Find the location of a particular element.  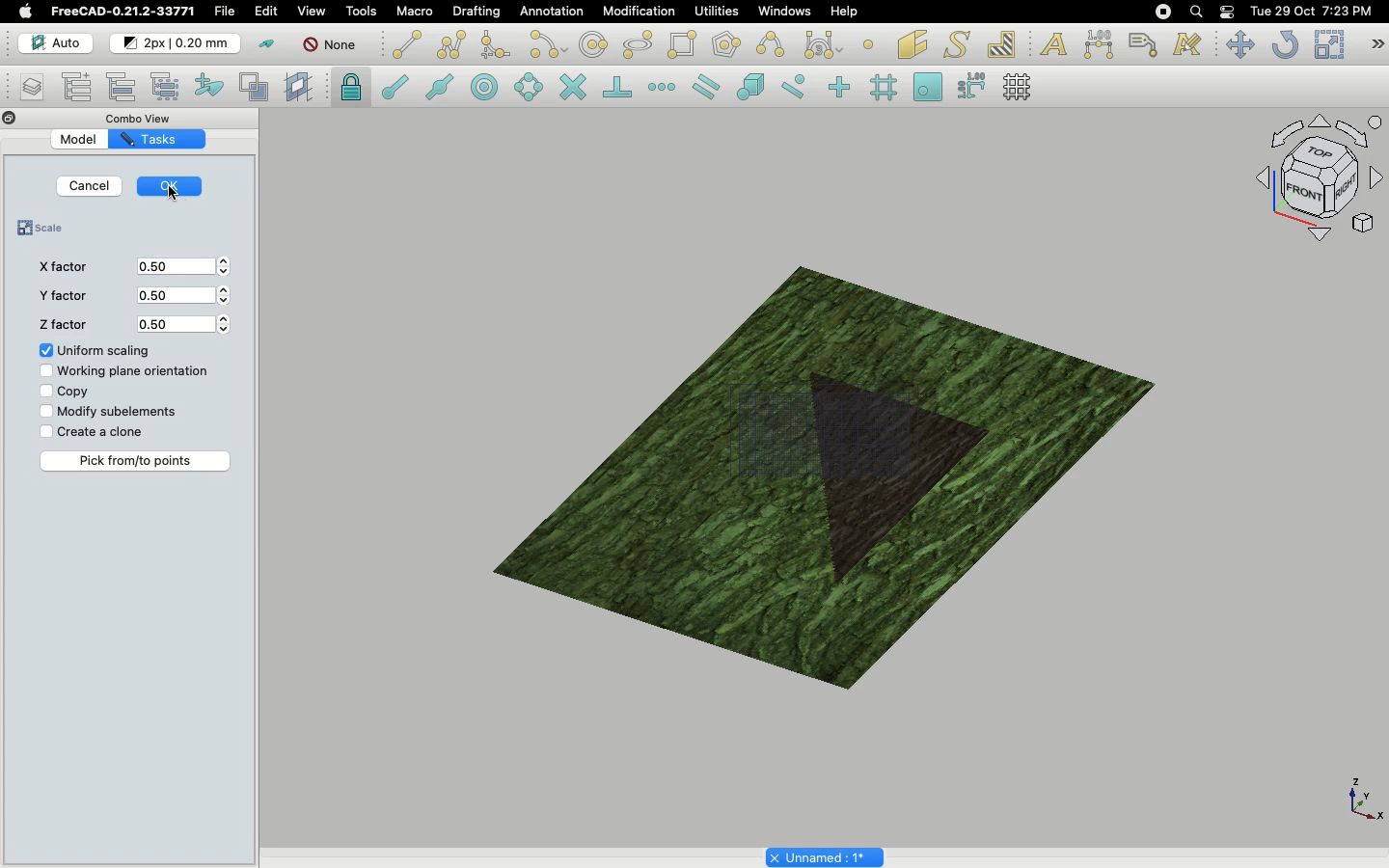

Manage layers is located at coordinates (25, 88).